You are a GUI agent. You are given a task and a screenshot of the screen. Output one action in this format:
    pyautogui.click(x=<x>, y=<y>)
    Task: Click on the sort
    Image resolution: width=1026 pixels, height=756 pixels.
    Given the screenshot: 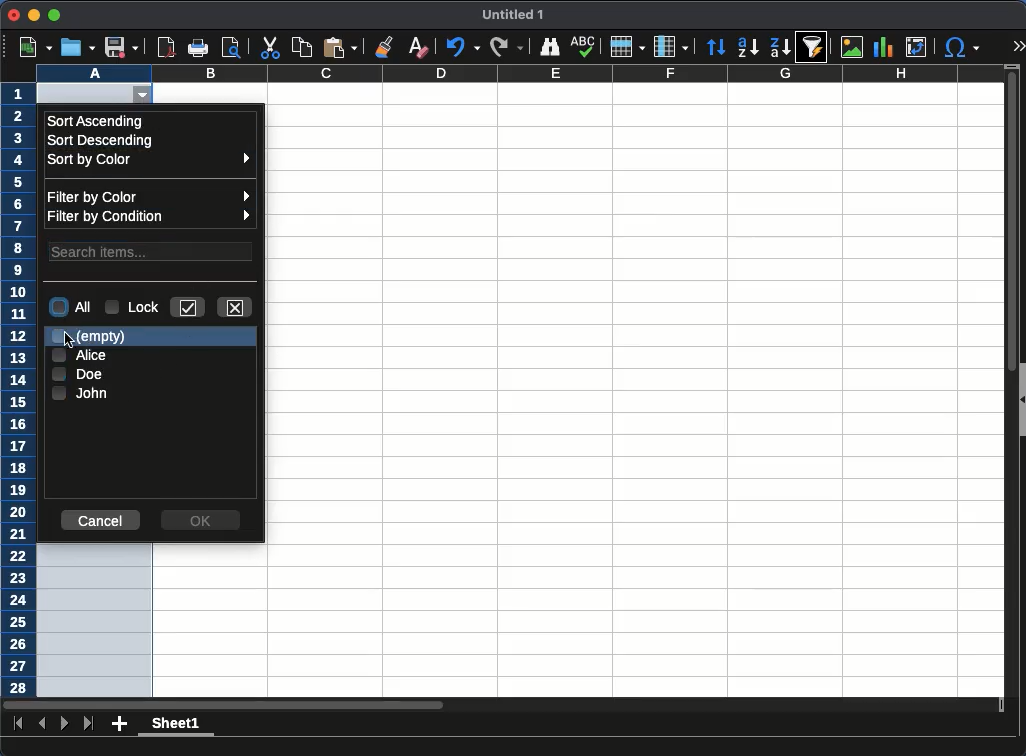 What is the action you would take?
    pyautogui.click(x=718, y=47)
    